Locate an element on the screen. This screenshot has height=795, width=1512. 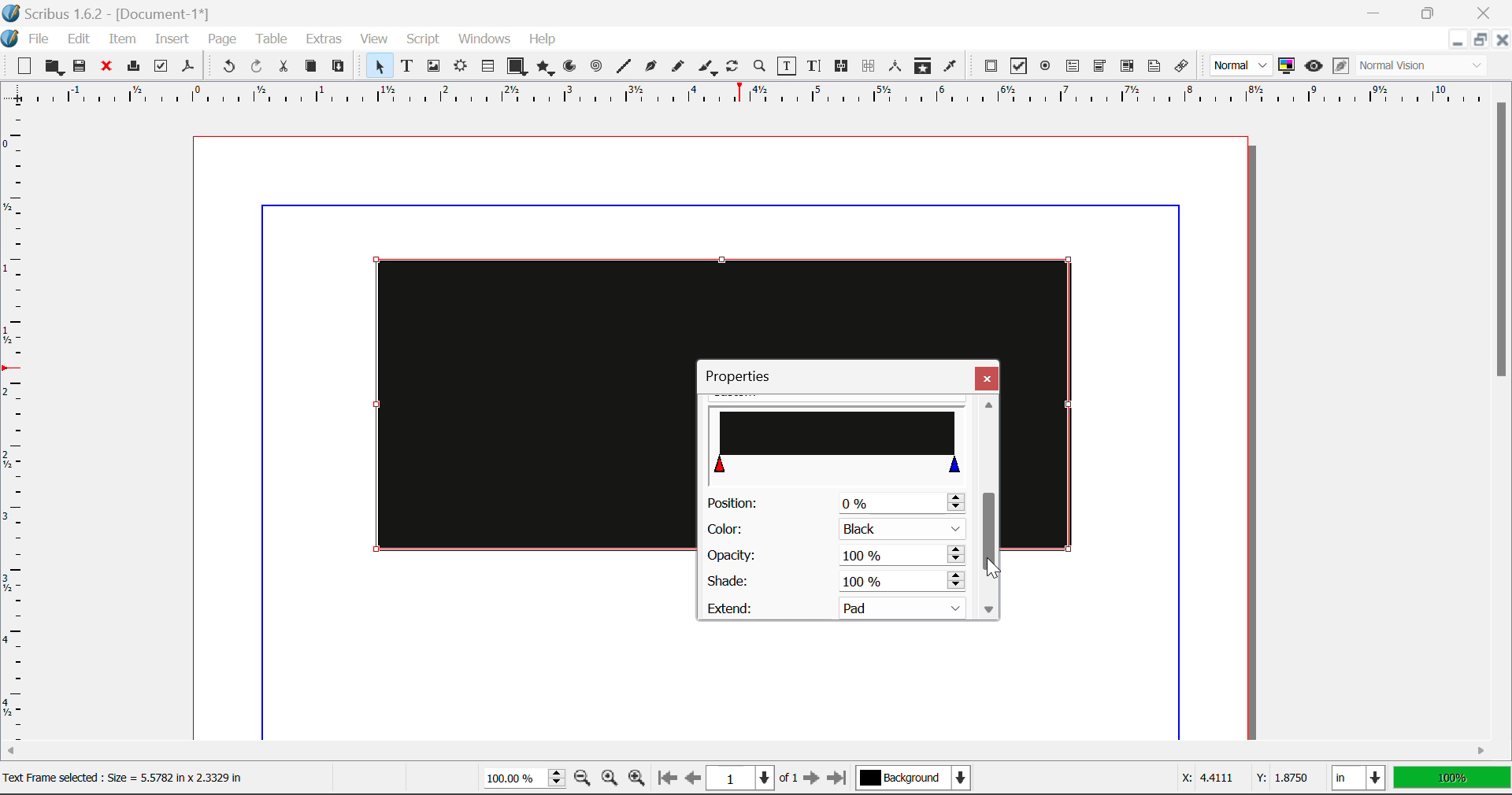
Text Frame Color Changed is located at coordinates (510, 403).